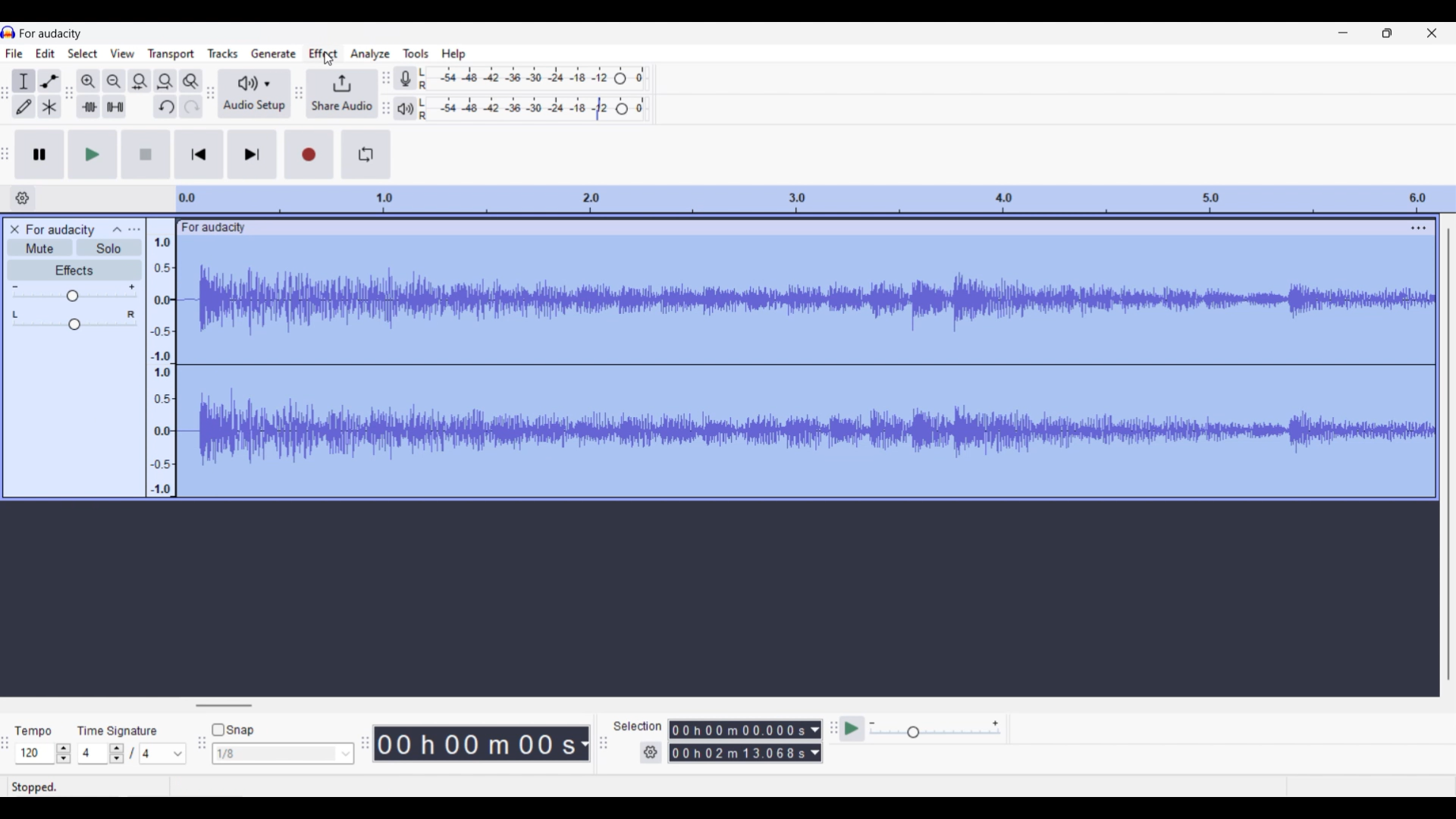  I want to click on Solo, so click(111, 247).